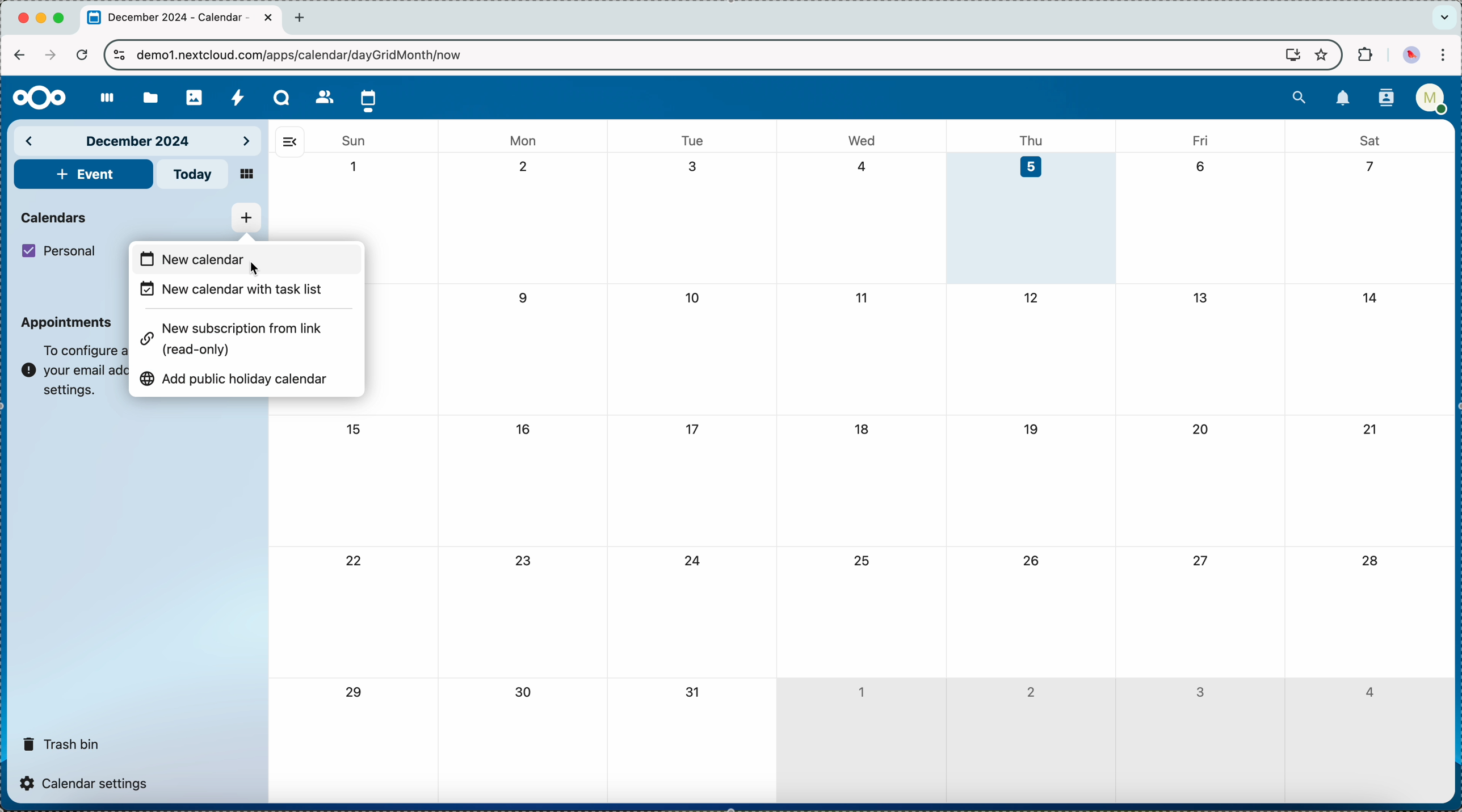  I want to click on 30, so click(527, 694).